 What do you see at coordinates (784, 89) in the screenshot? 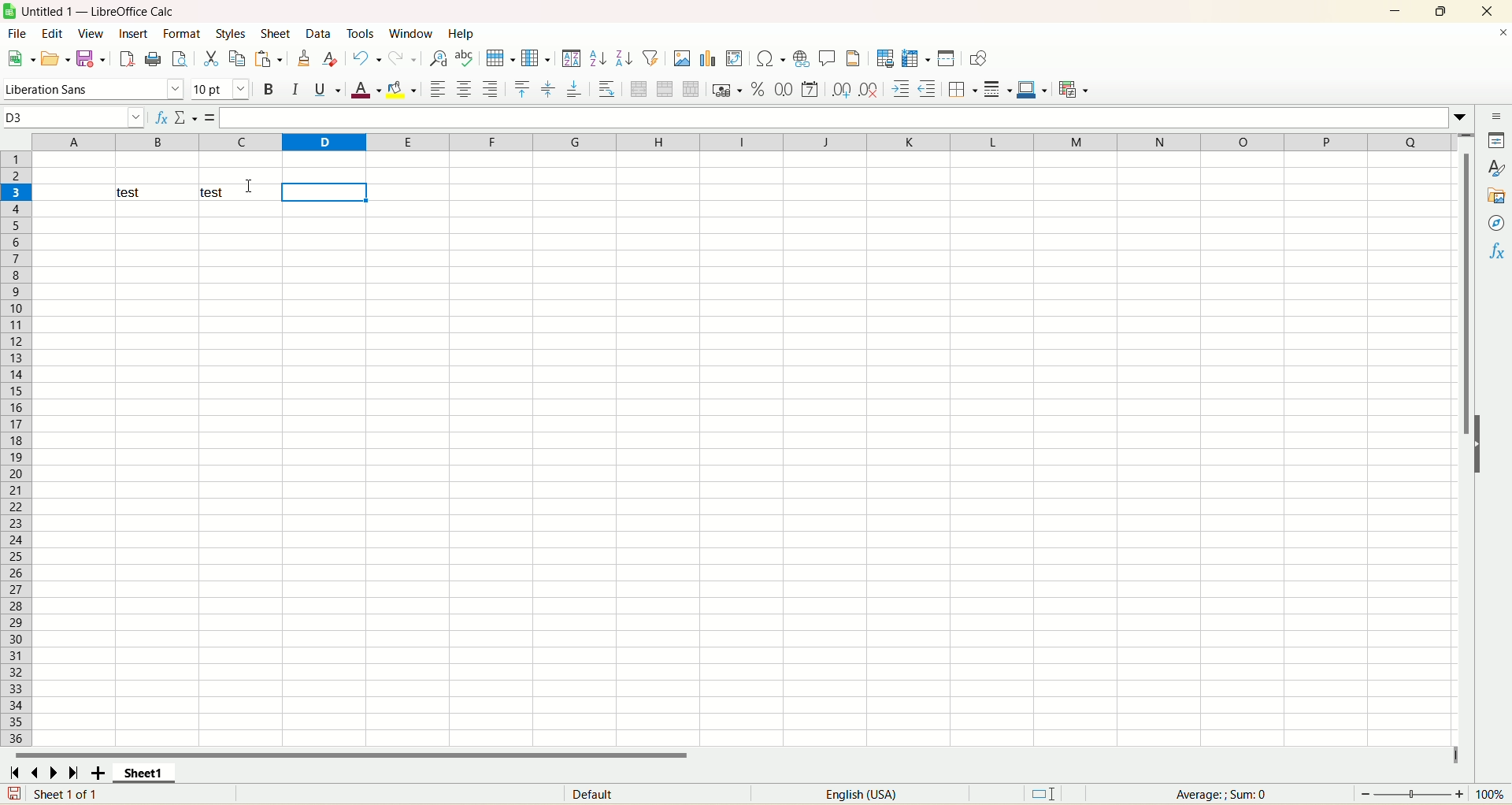
I see `format as number` at bounding box center [784, 89].